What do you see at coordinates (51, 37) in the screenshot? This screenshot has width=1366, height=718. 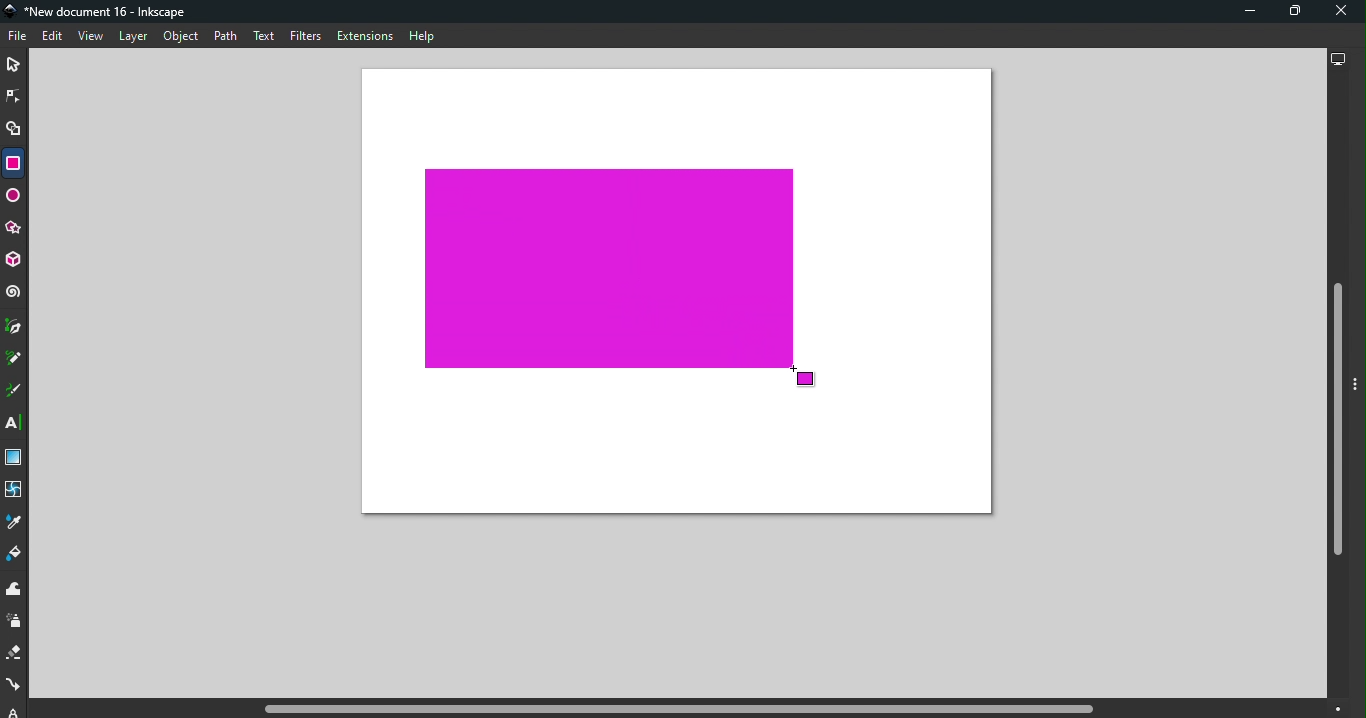 I see `Edit` at bounding box center [51, 37].